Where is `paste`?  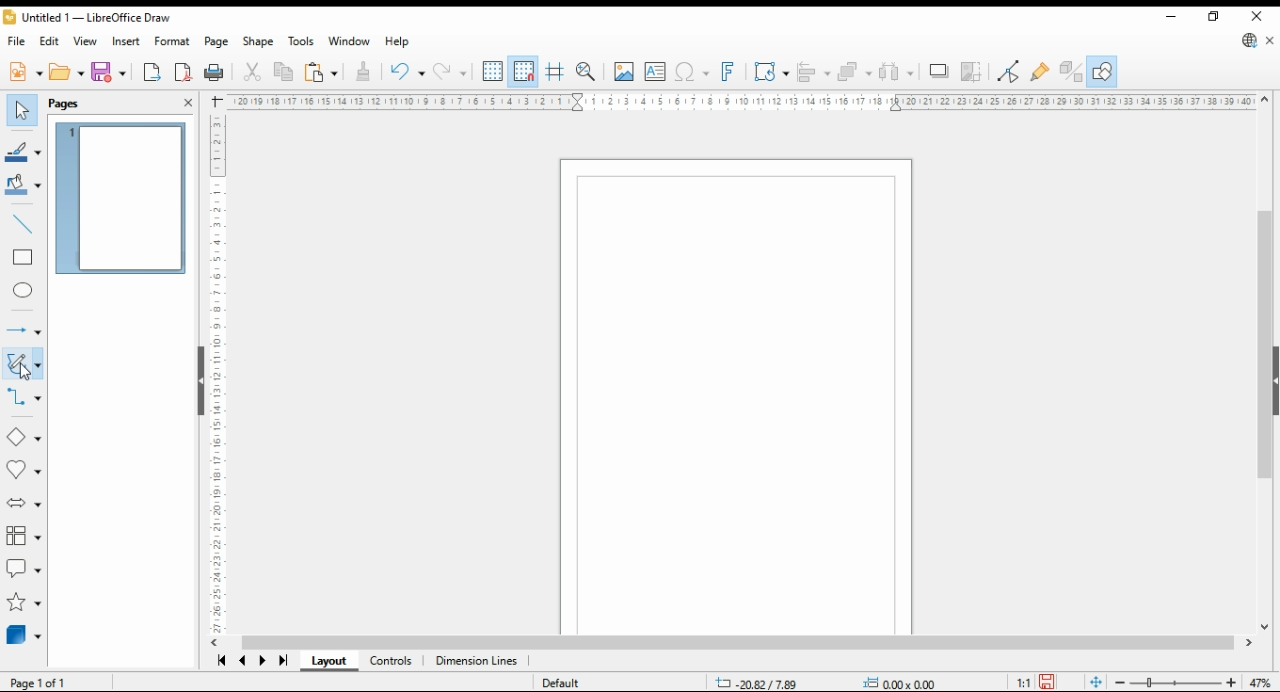 paste is located at coordinates (323, 71).